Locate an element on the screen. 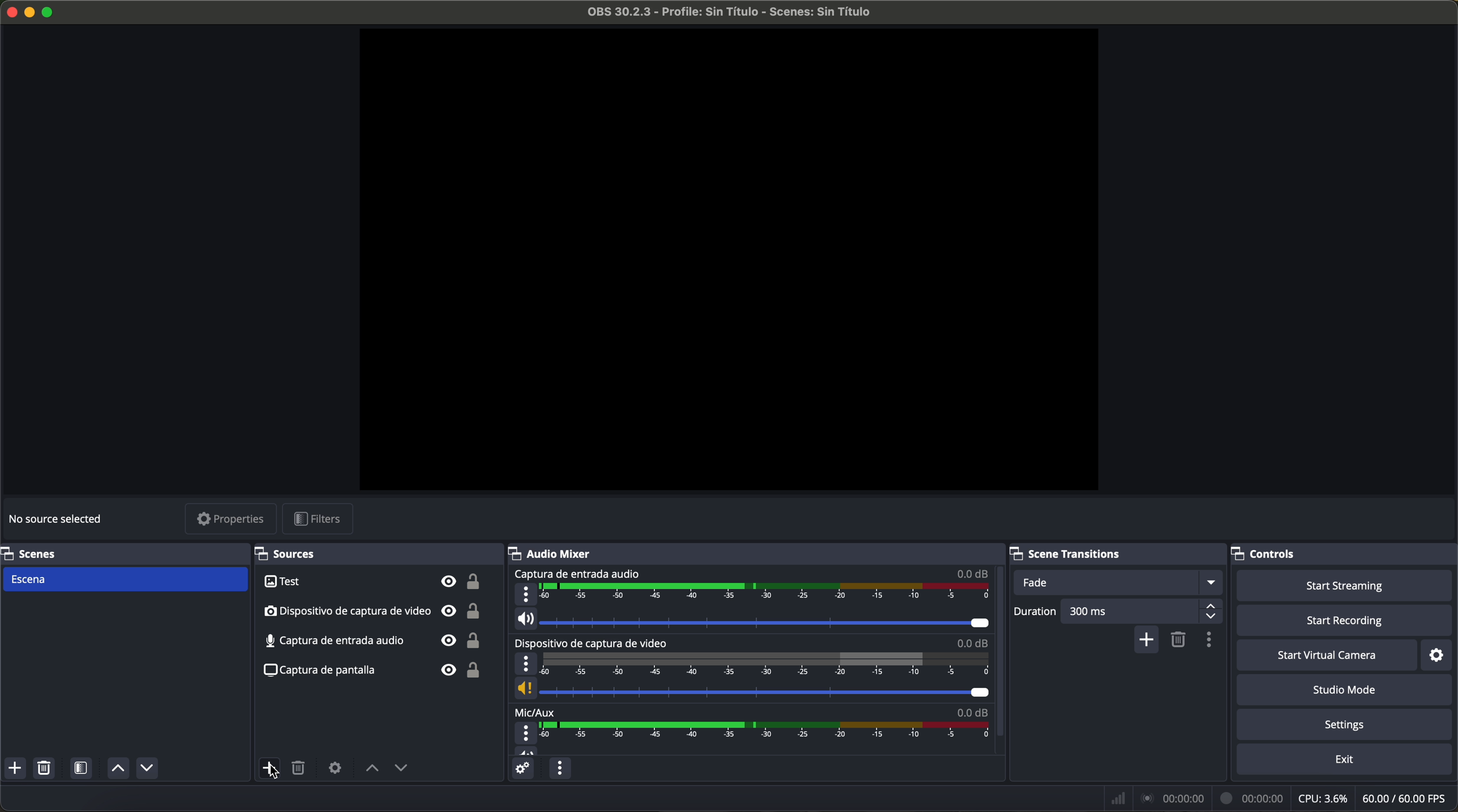 This screenshot has height=812, width=1458. scene is located at coordinates (127, 579).